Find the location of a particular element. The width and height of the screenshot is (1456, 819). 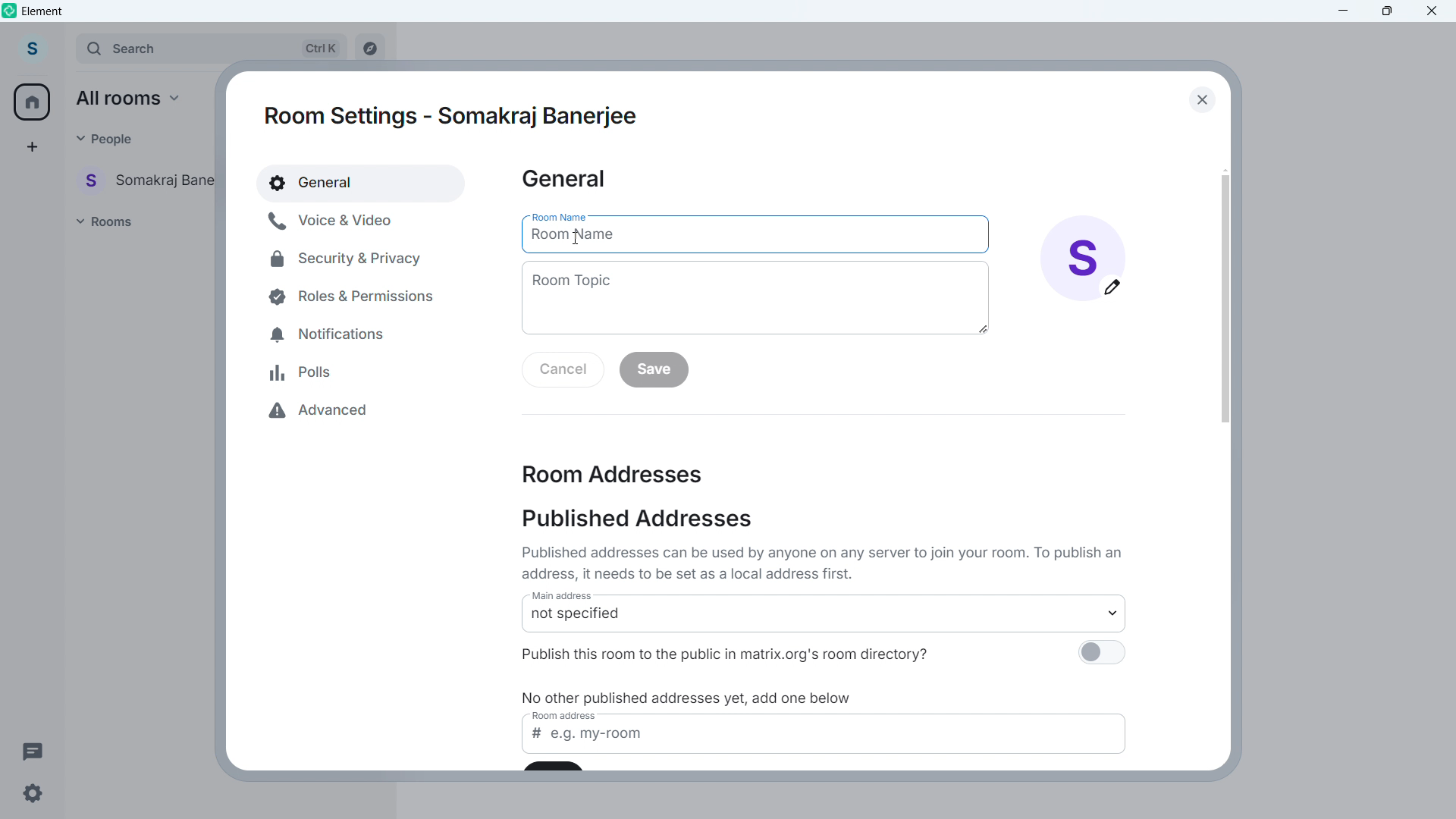

Create a space  is located at coordinates (31, 147).